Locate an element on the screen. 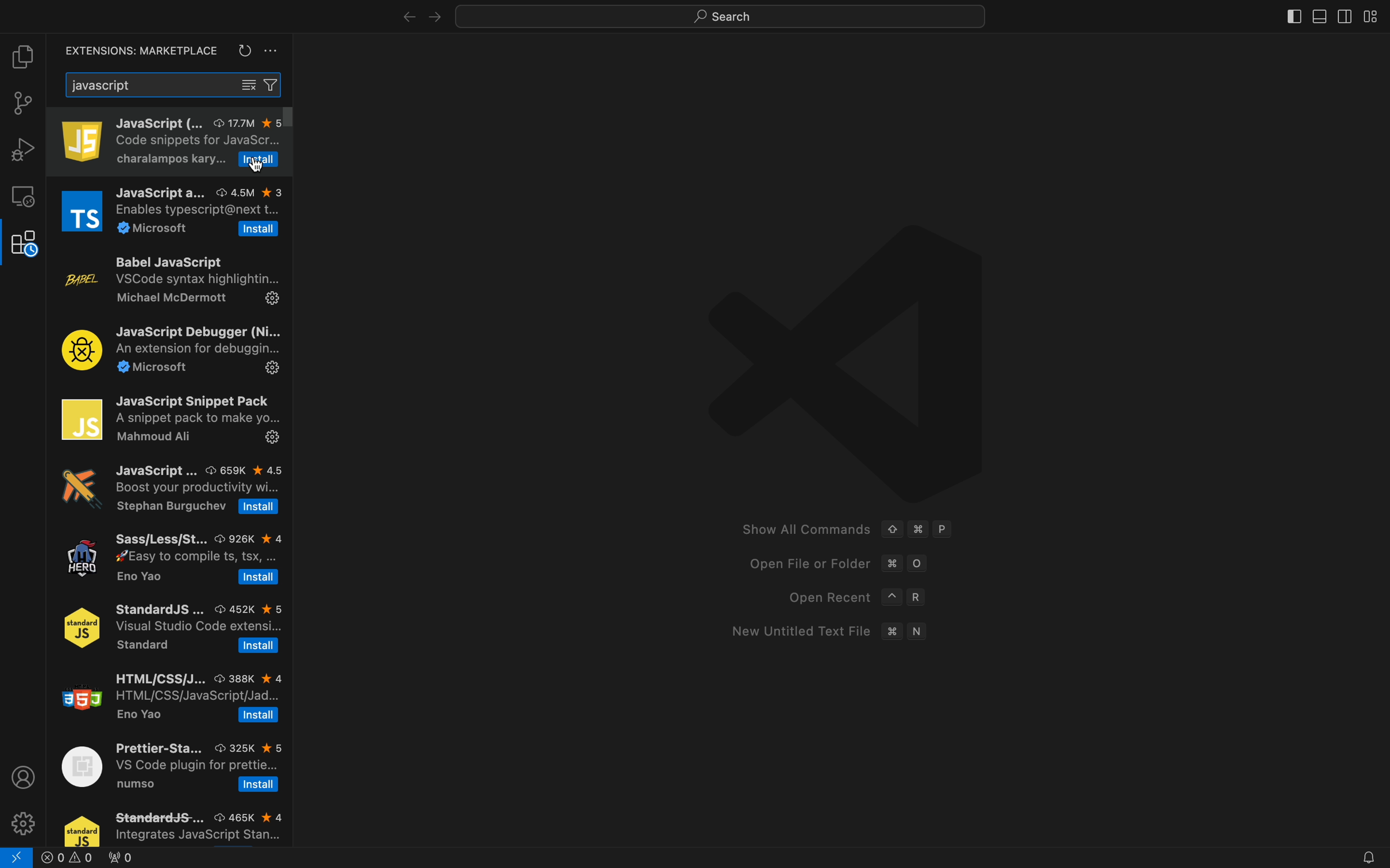  Prettier-Sta... 325K % 5
VS Code plugin for prettie...
numso [Install is located at coordinates (169, 764).